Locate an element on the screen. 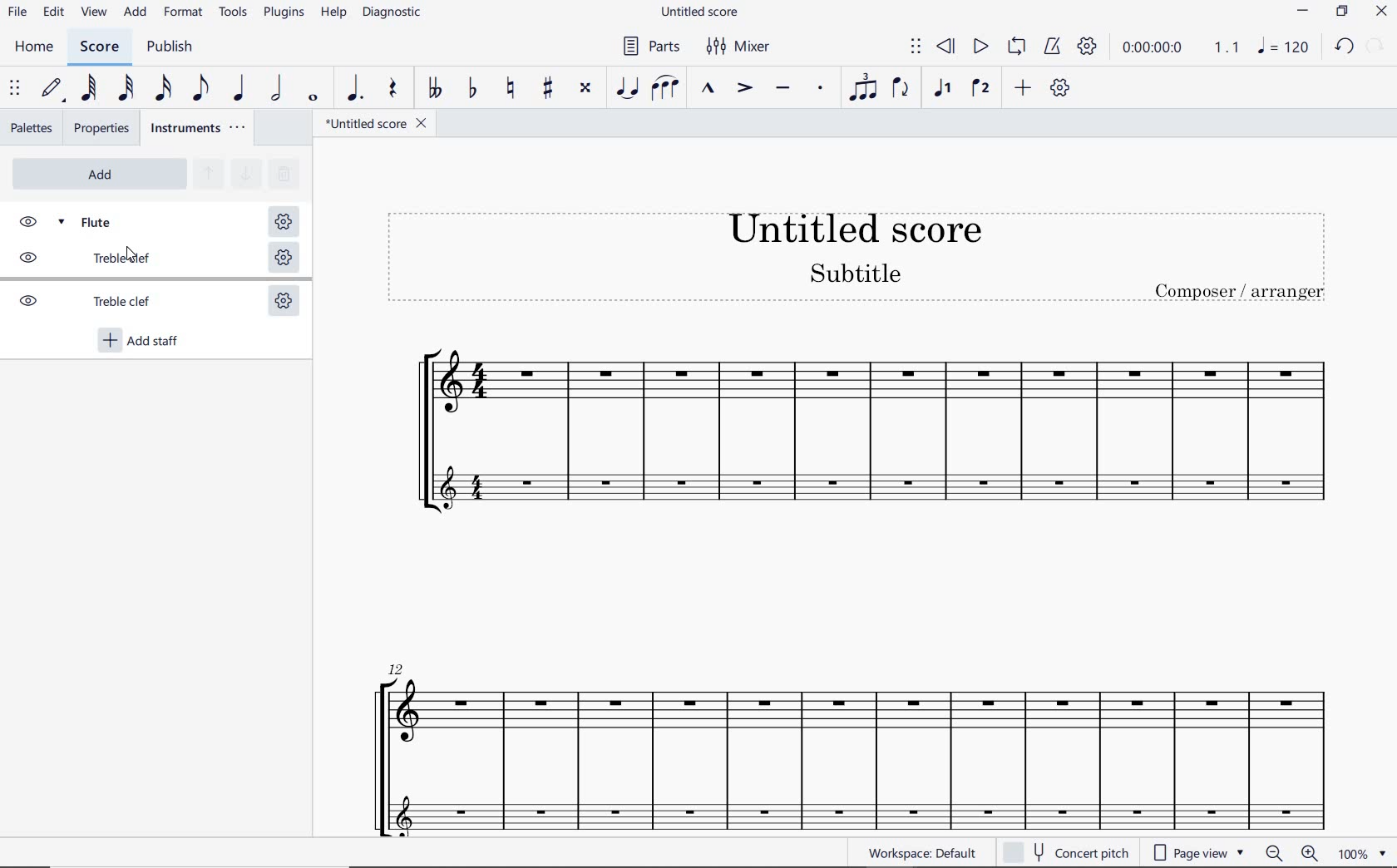  relode is located at coordinates (1376, 44).